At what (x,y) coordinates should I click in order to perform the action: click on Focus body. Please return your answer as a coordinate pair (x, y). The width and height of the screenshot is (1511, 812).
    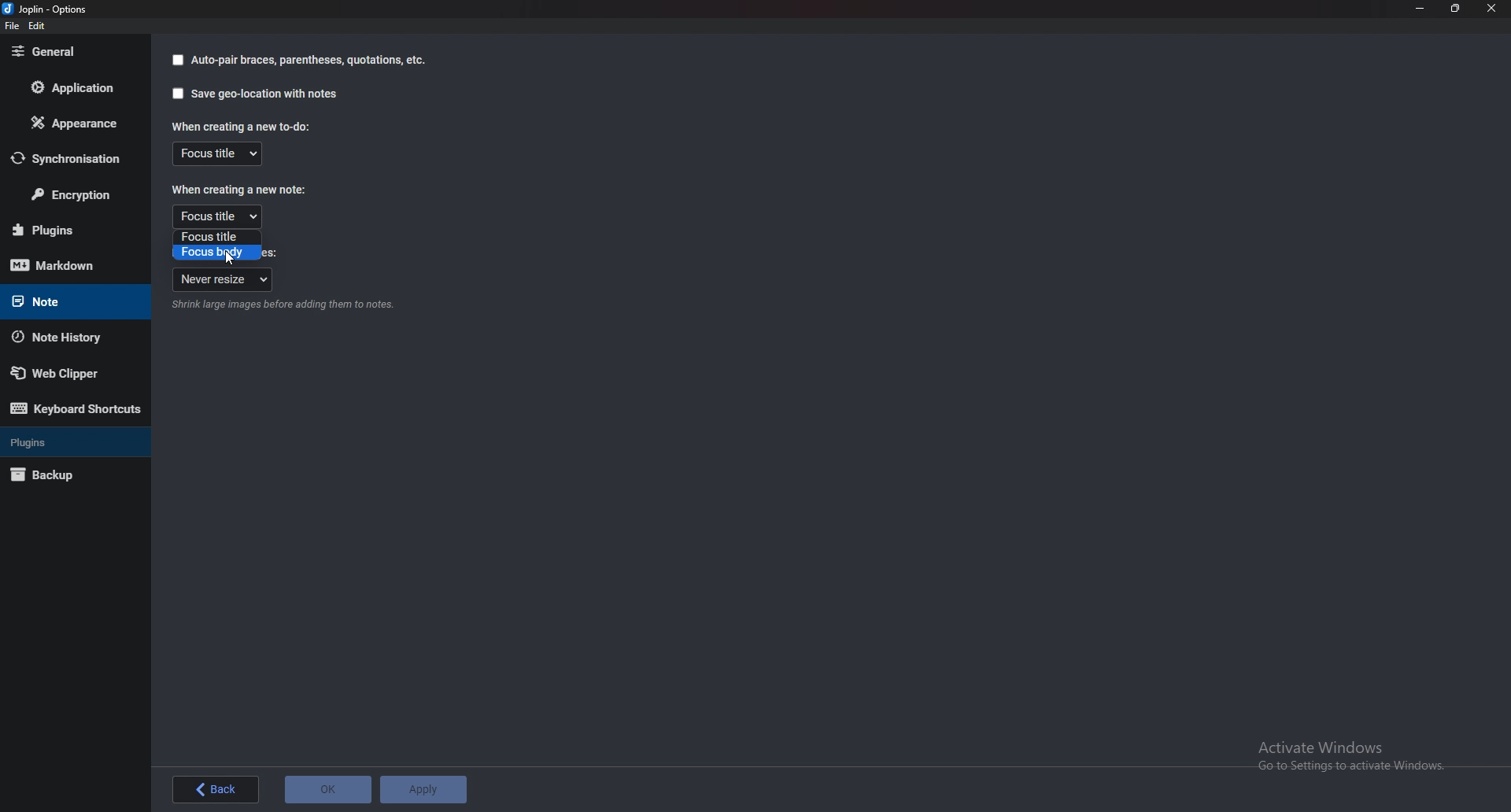
    Looking at the image, I should click on (215, 253).